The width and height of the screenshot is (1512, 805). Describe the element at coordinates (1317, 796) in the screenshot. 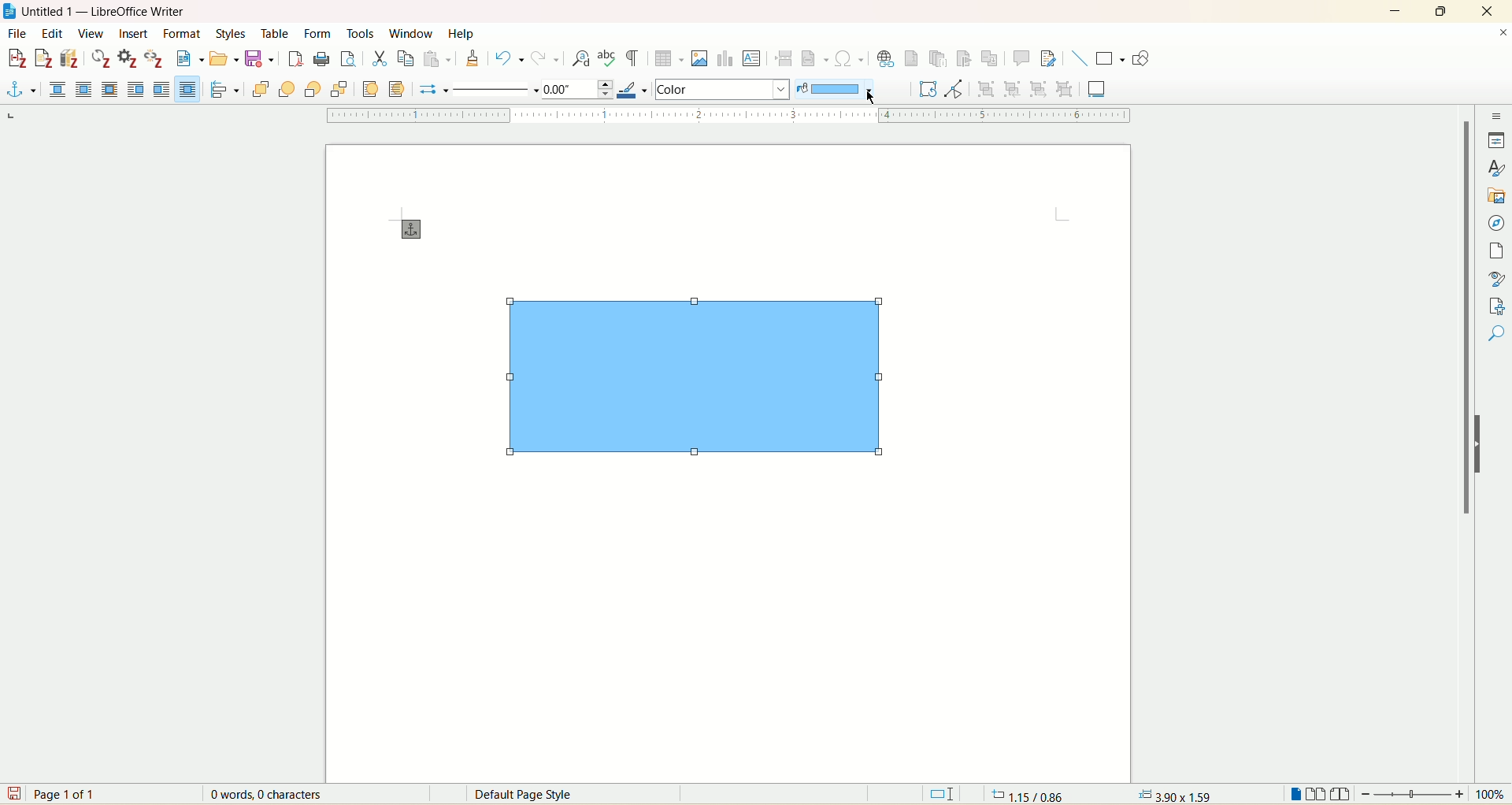

I see `multiple page view` at that location.